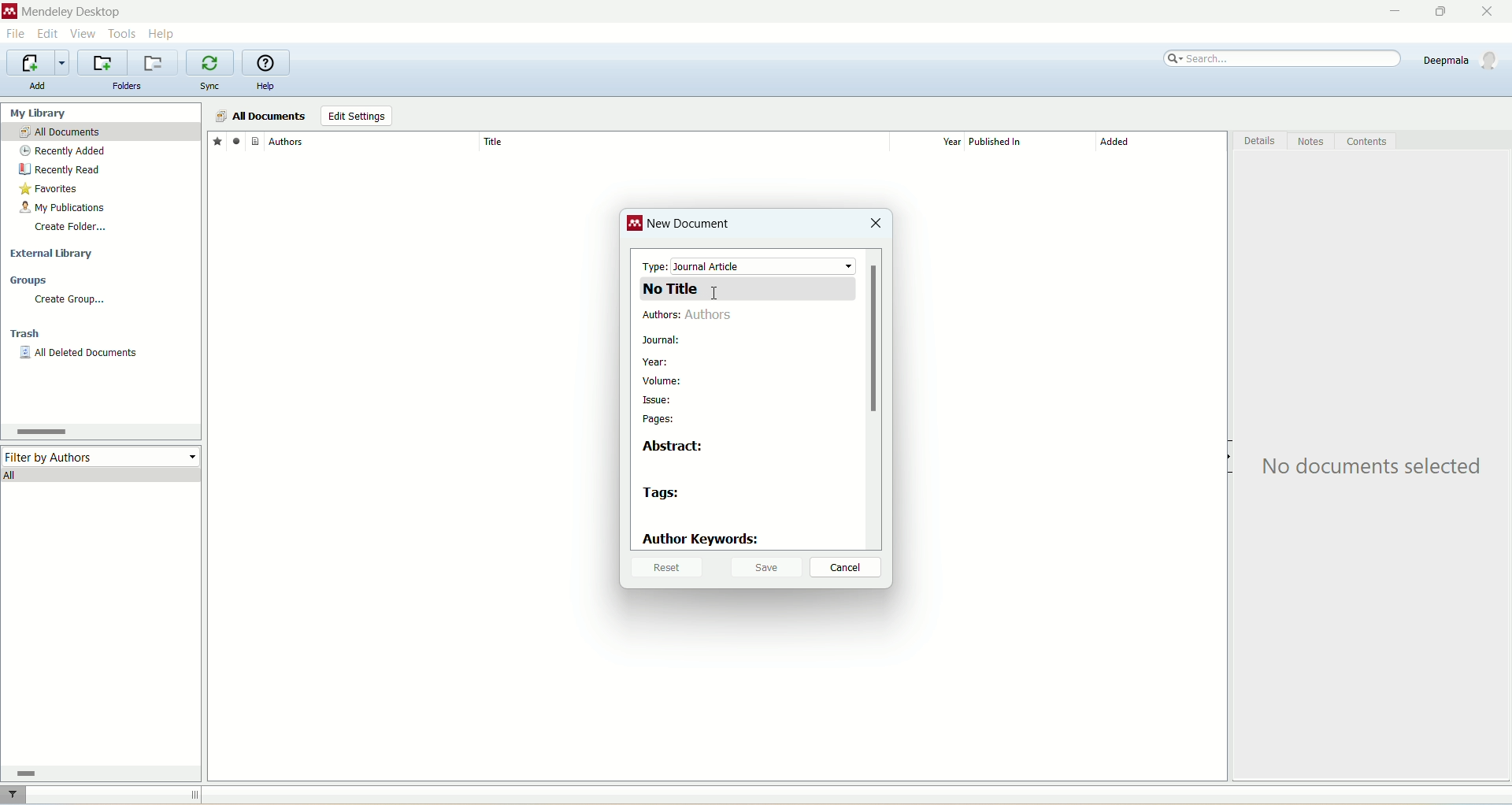  Describe the element at coordinates (70, 226) in the screenshot. I see `create folder` at that location.